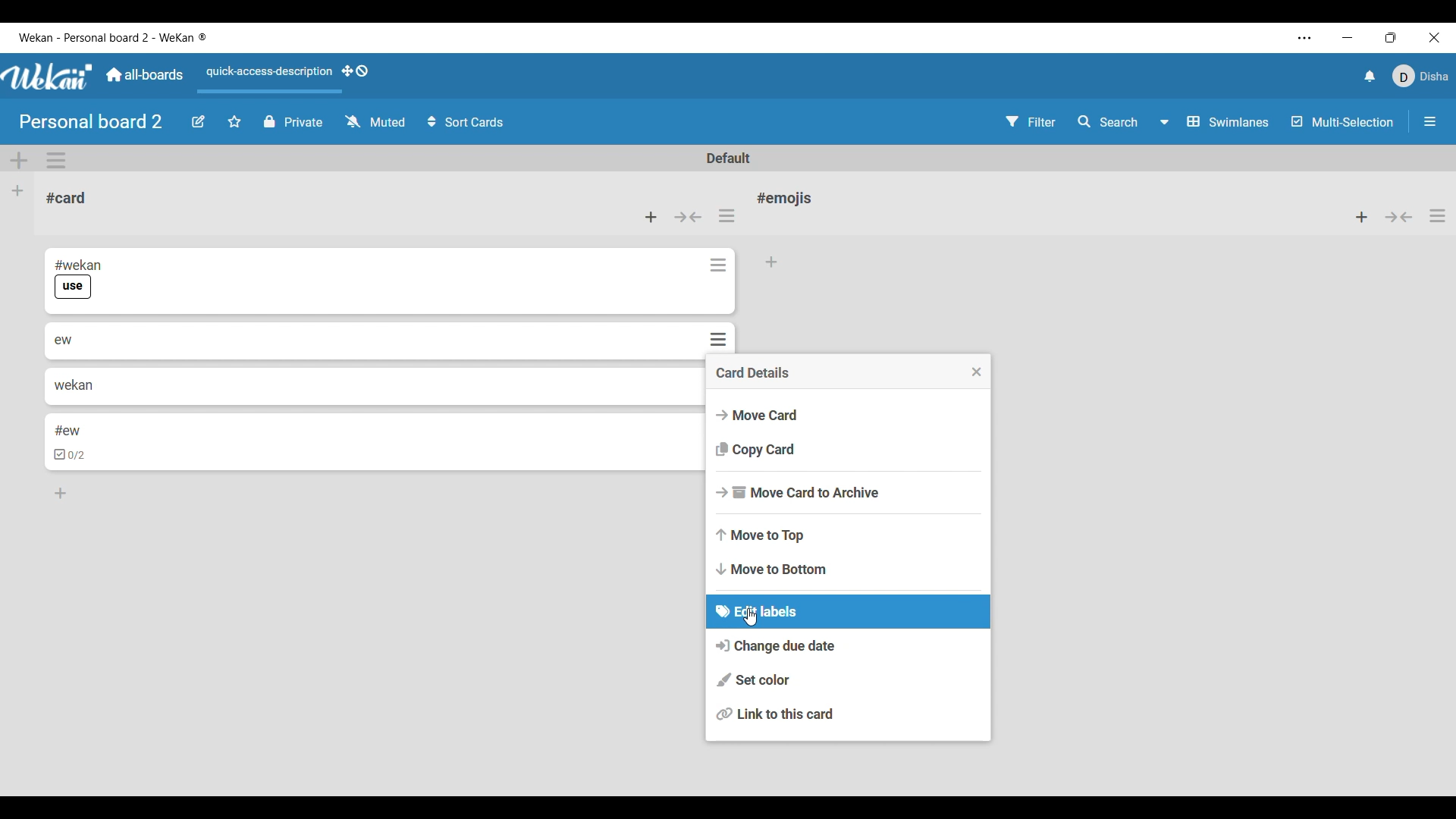  Describe the element at coordinates (66, 198) in the screenshot. I see `Card name` at that location.